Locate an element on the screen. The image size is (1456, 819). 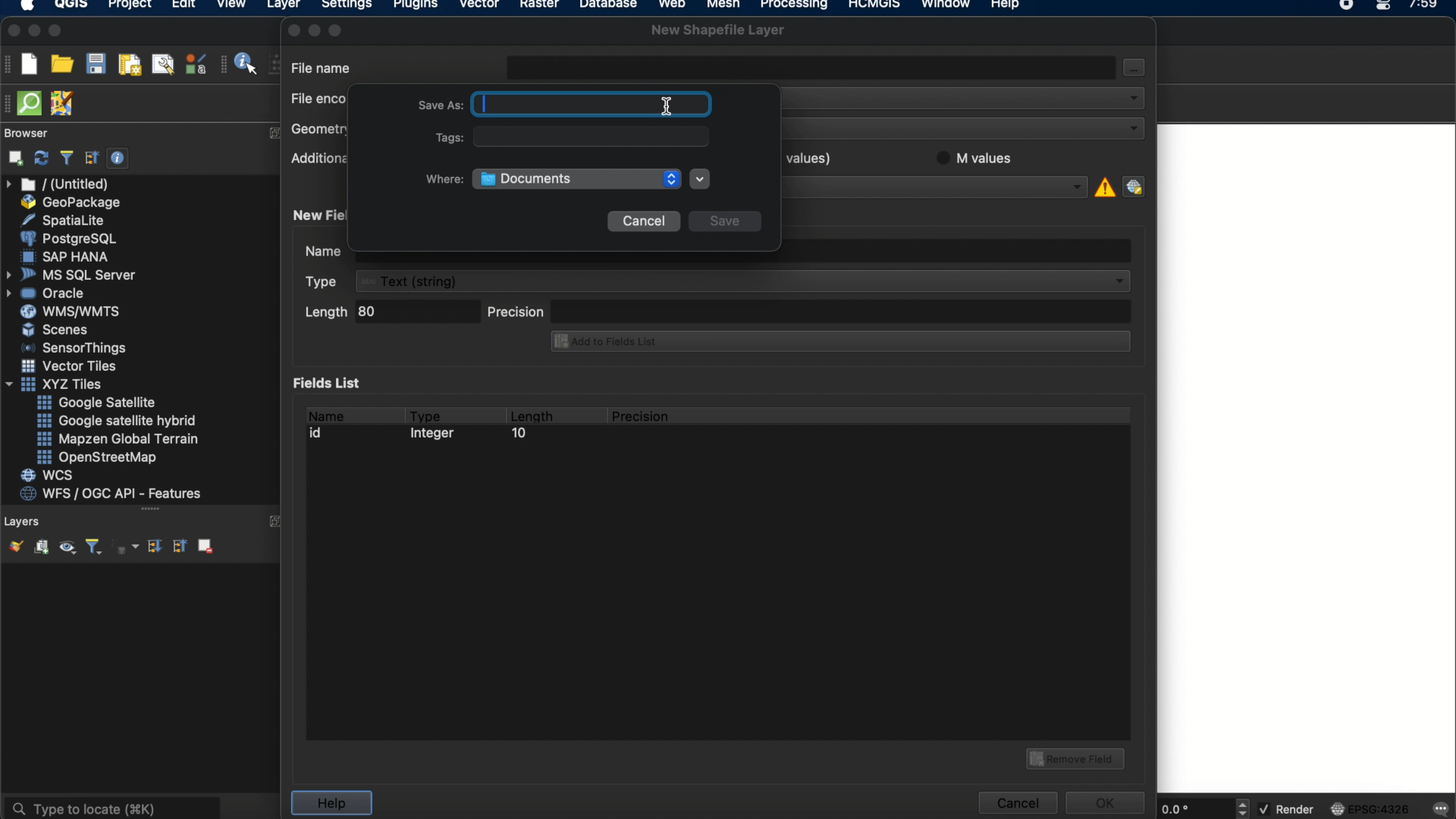
name is located at coordinates (325, 413).